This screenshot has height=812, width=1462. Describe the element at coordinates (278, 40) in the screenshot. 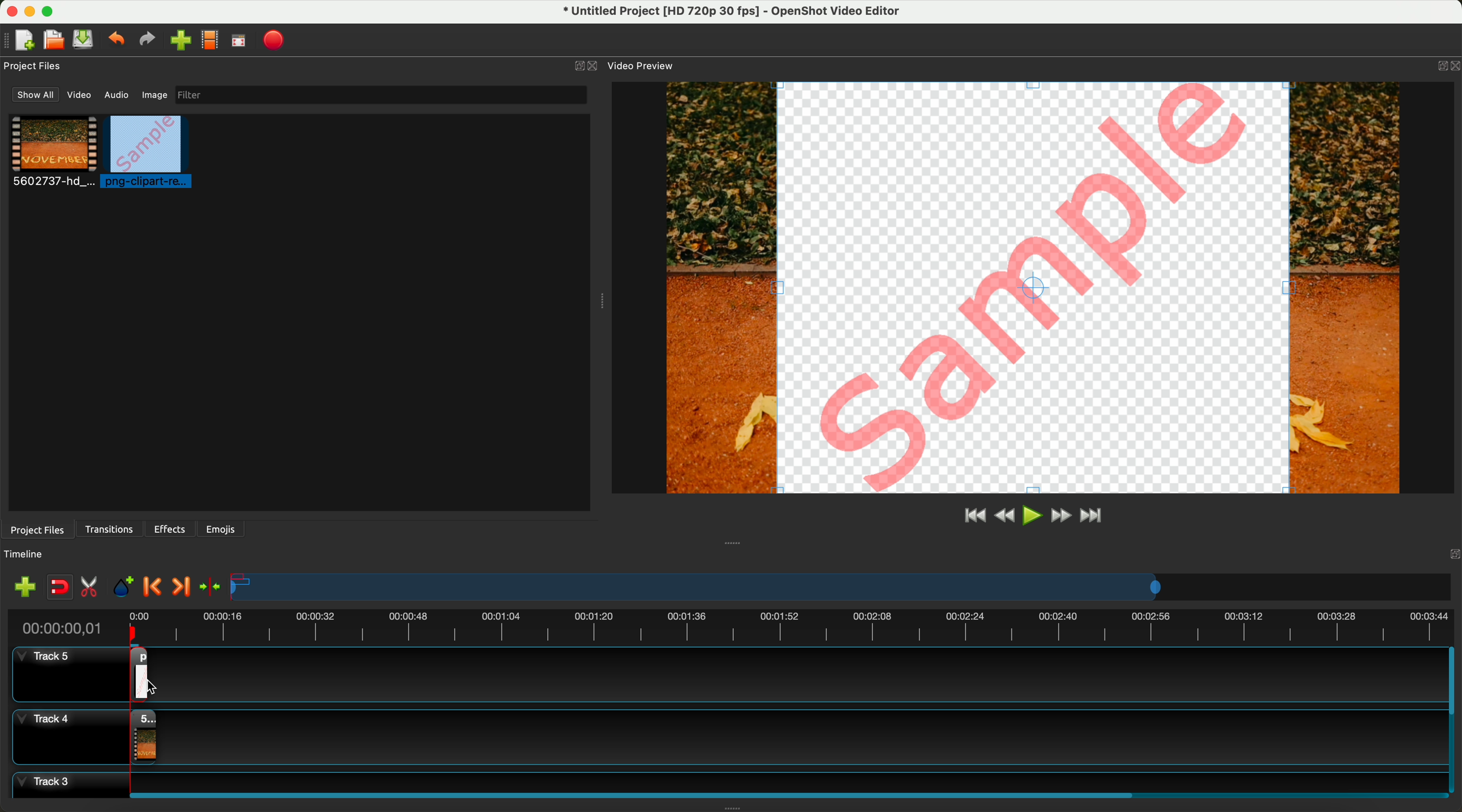

I see `export video` at that location.